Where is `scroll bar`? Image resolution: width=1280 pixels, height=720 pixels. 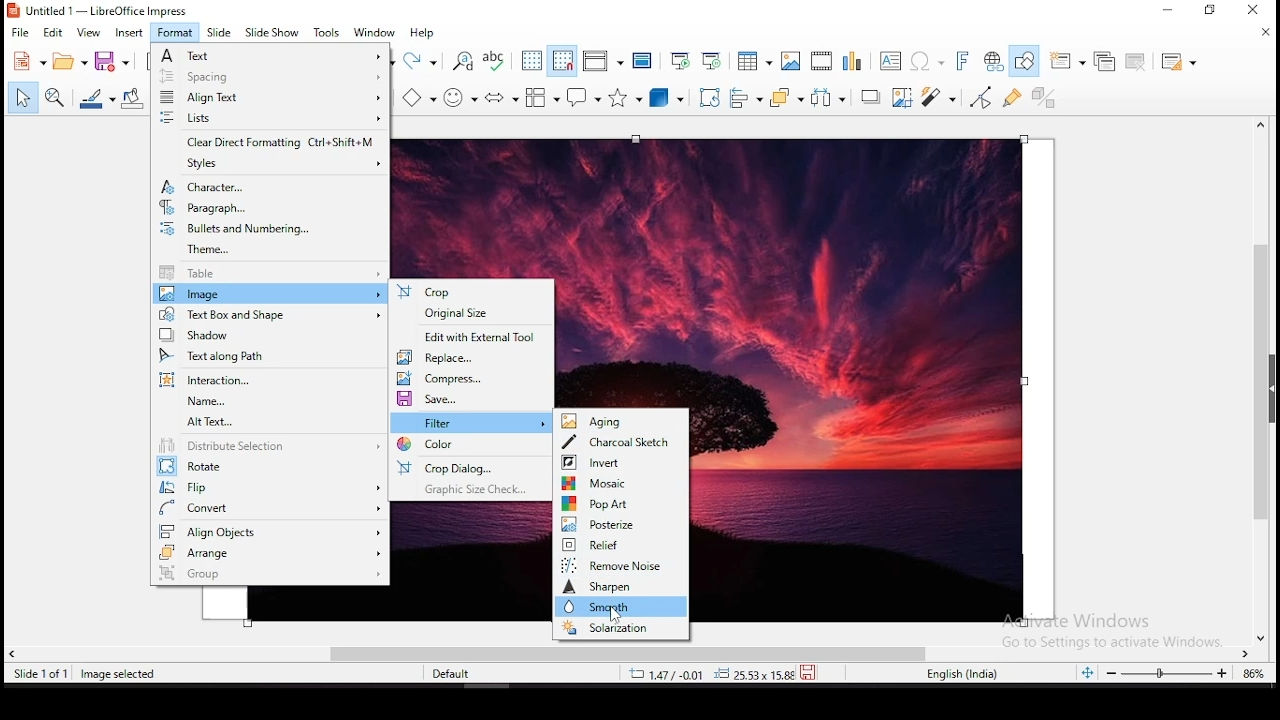 scroll bar is located at coordinates (631, 652).